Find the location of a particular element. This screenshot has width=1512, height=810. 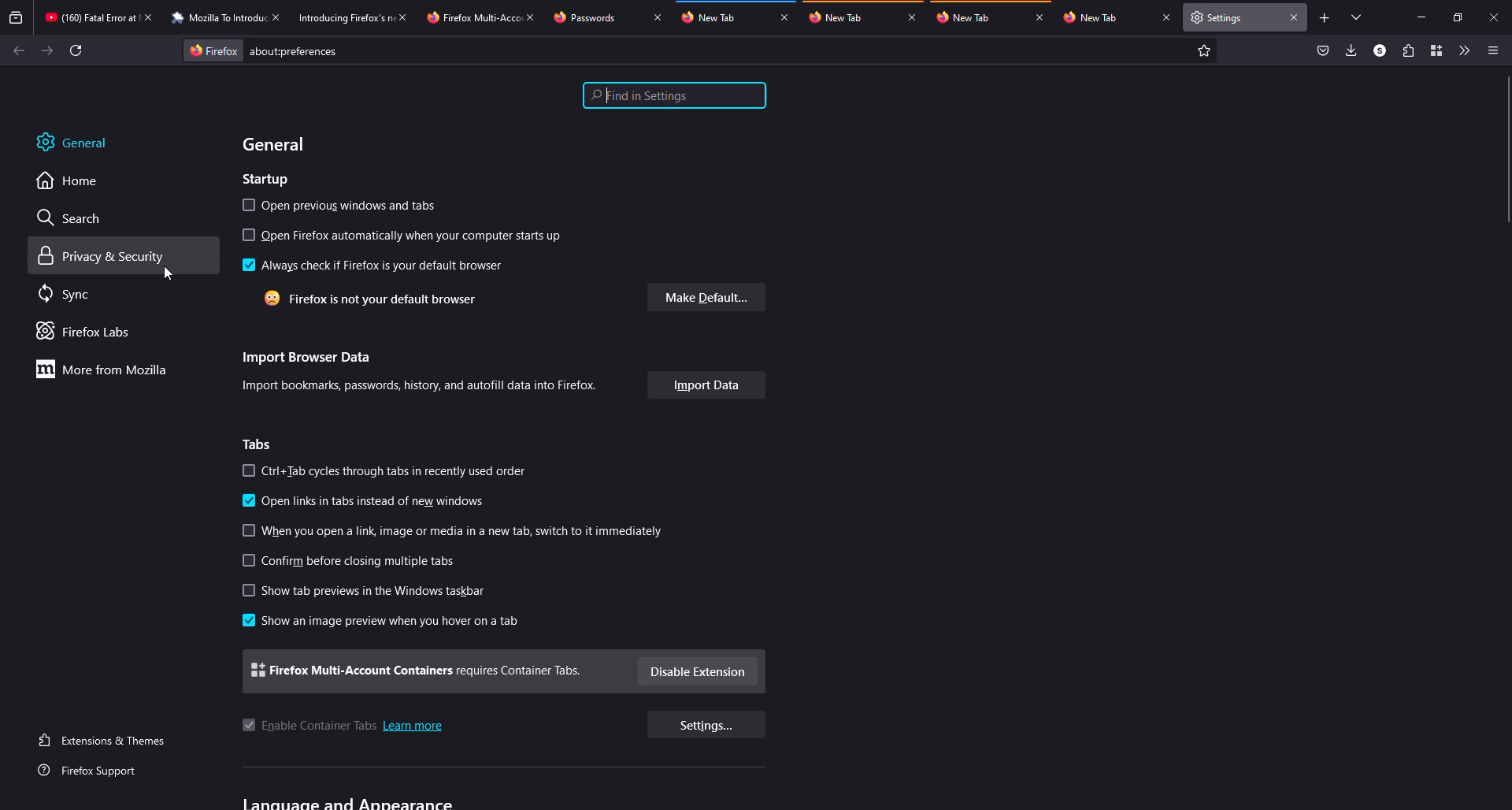

always check if firefox is your default browser is located at coordinates (381, 265).